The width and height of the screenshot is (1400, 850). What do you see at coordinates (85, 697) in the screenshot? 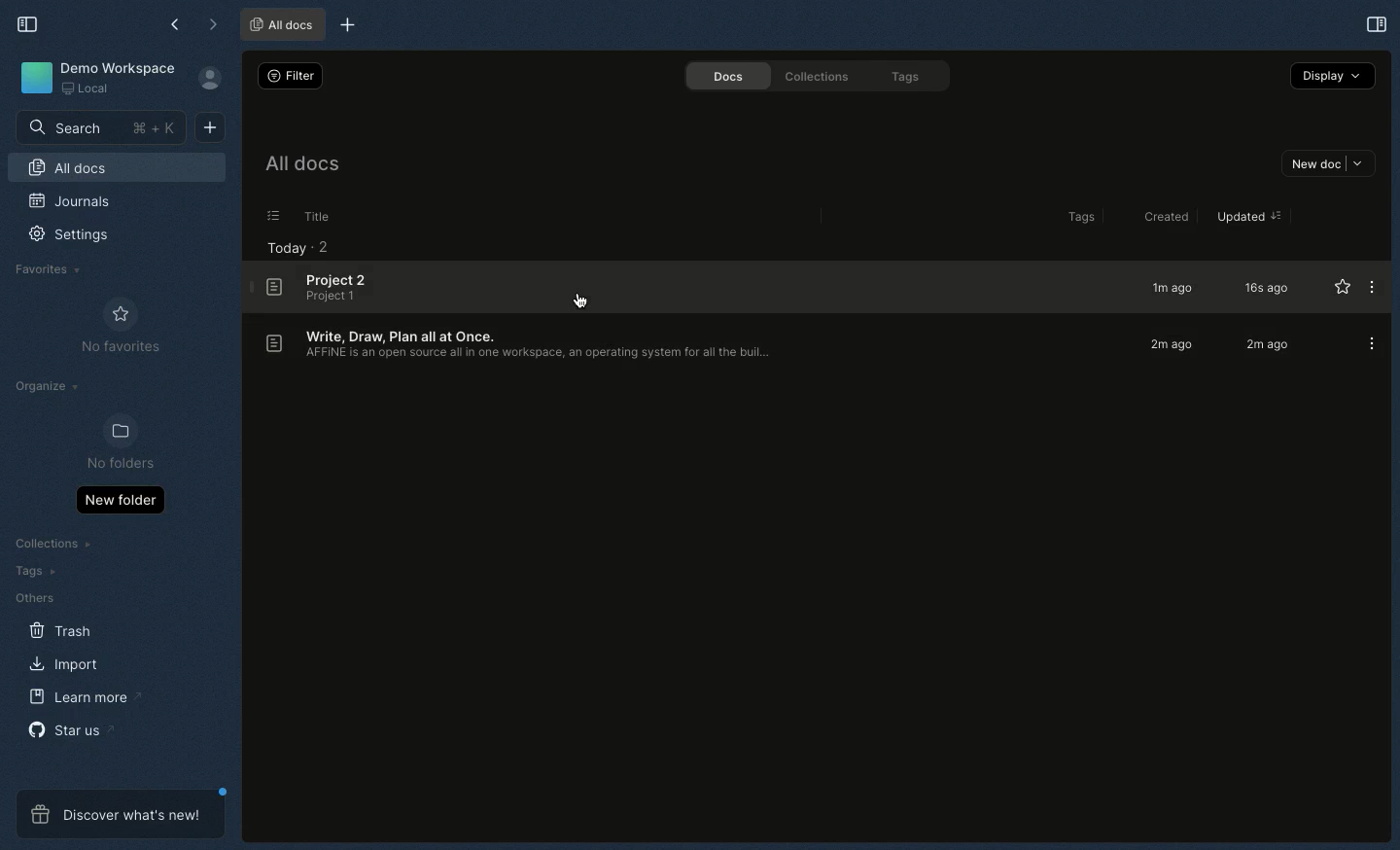
I see `Learn more` at bounding box center [85, 697].